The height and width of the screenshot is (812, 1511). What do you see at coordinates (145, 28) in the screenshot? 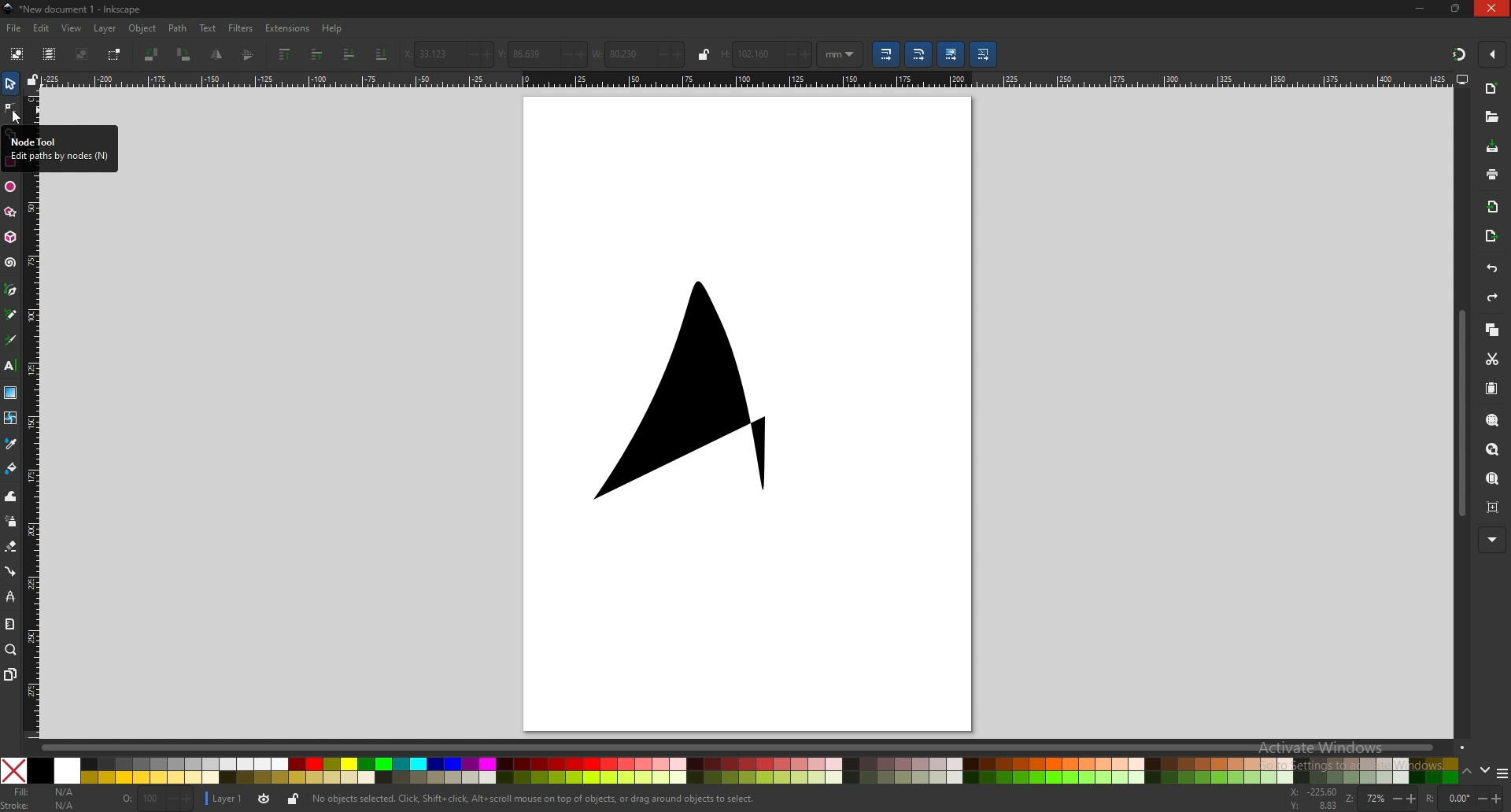
I see `object` at bounding box center [145, 28].